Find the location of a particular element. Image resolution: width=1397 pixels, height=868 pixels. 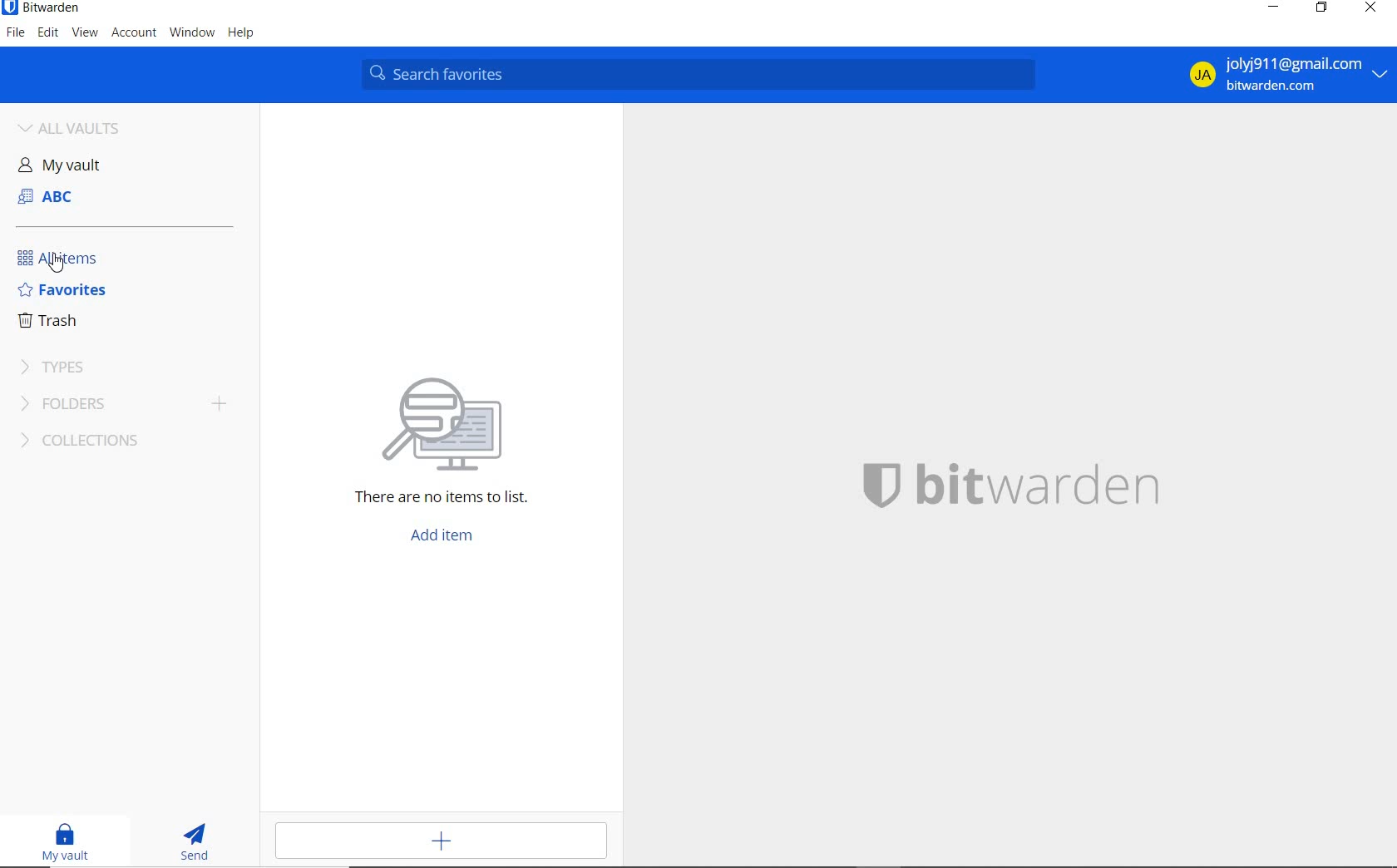

WINDOW is located at coordinates (191, 33).